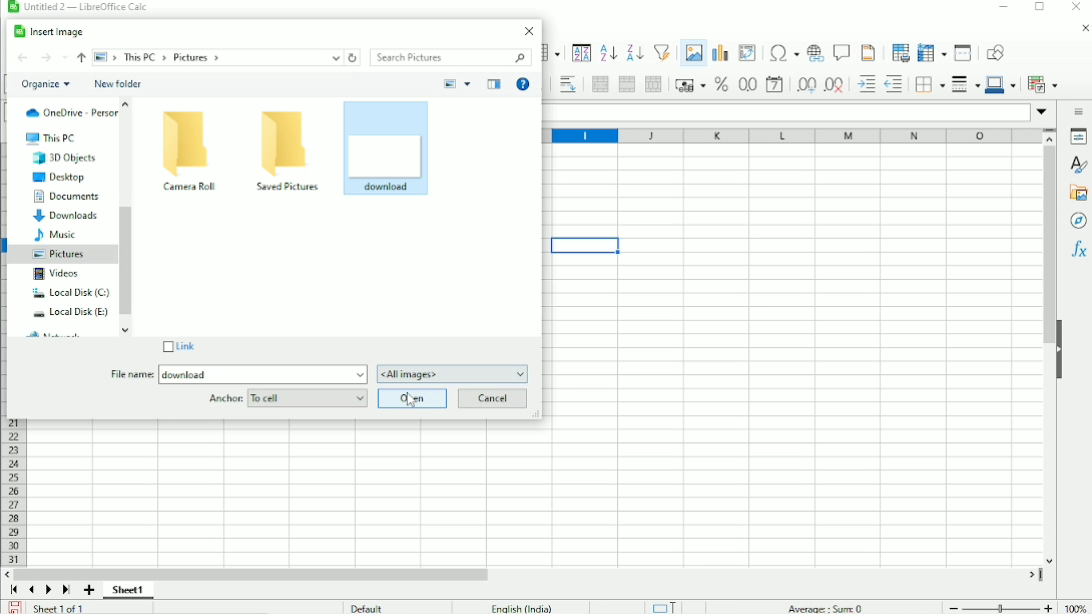 The width and height of the screenshot is (1092, 614). What do you see at coordinates (1081, 29) in the screenshot?
I see `Close document` at bounding box center [1081, 29].